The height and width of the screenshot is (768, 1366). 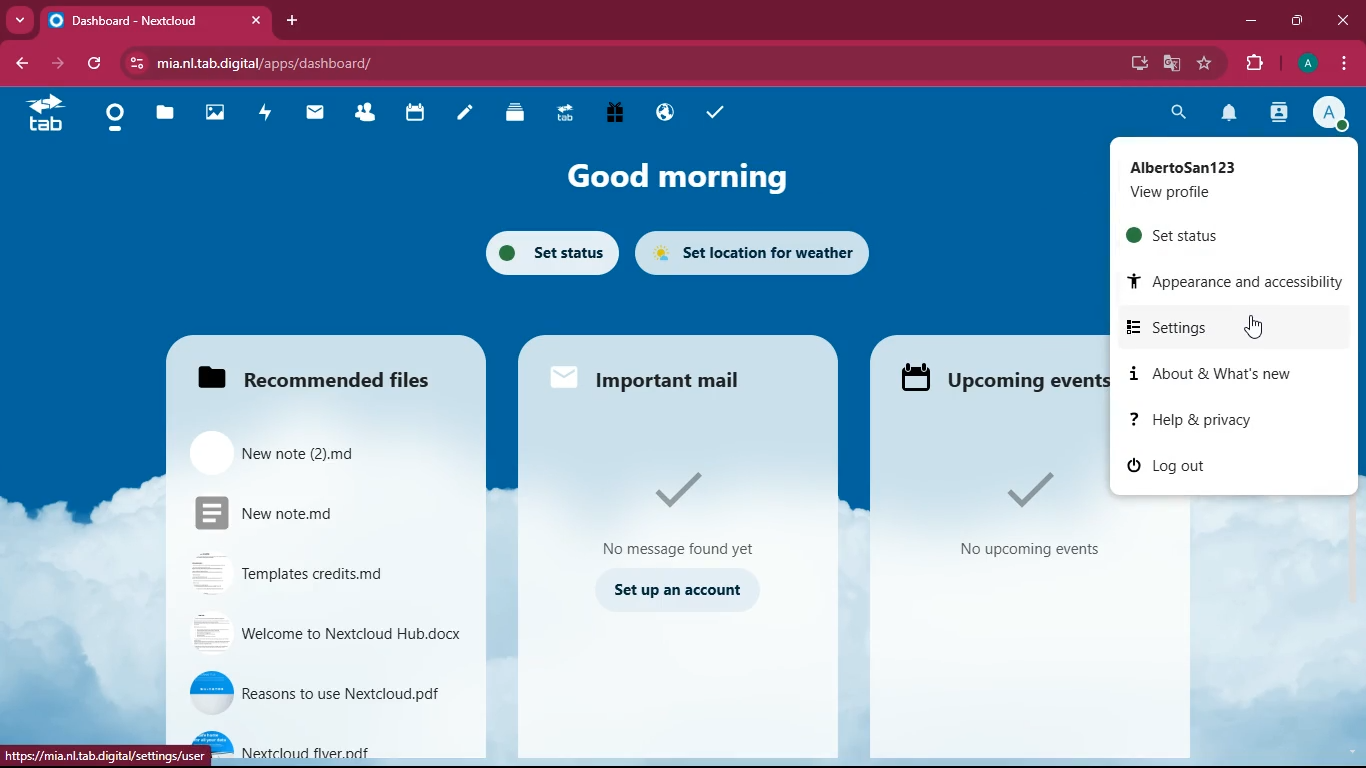 I want to click on set up an account, so click(x=681, y=591).